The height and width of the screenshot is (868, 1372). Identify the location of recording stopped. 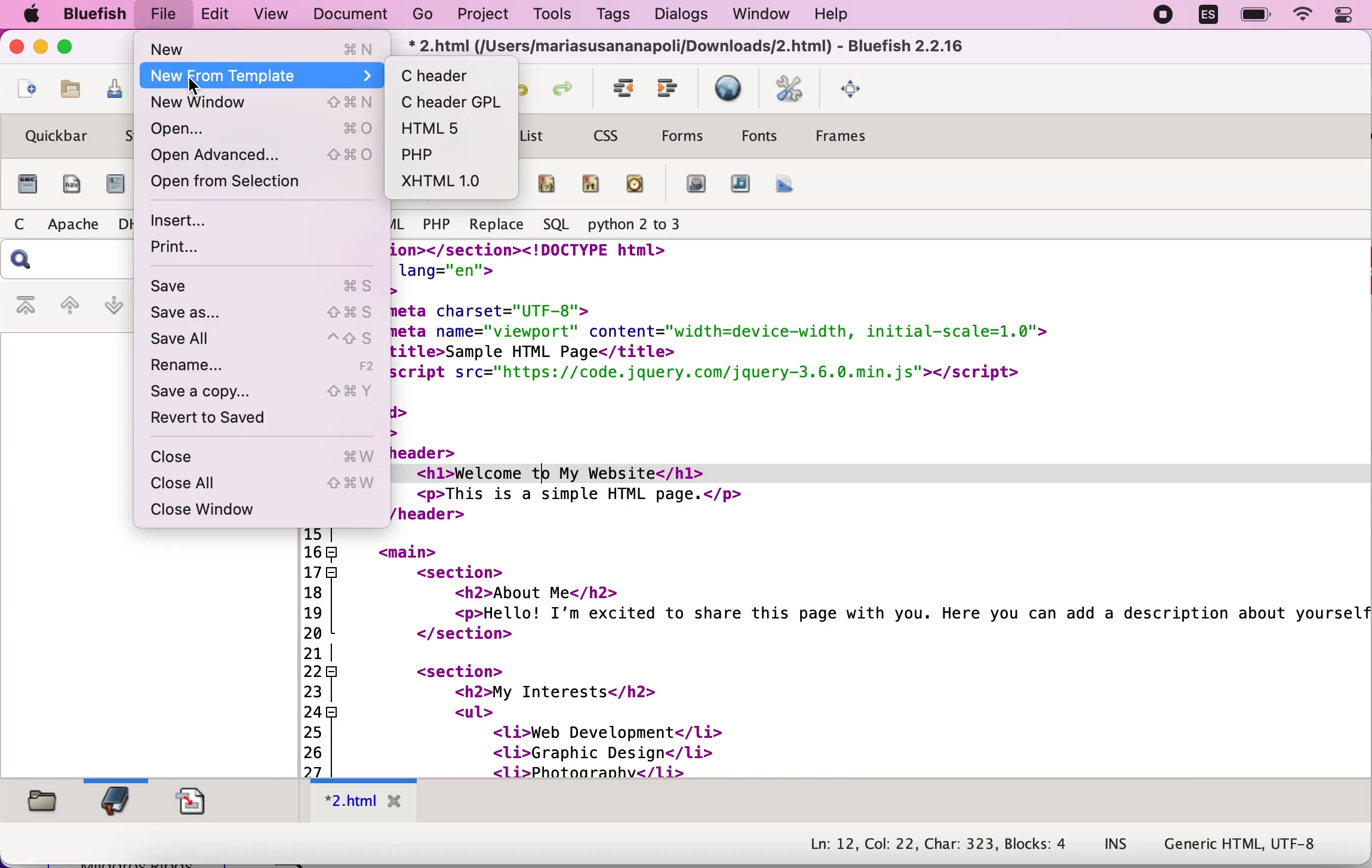
(1159, 15).